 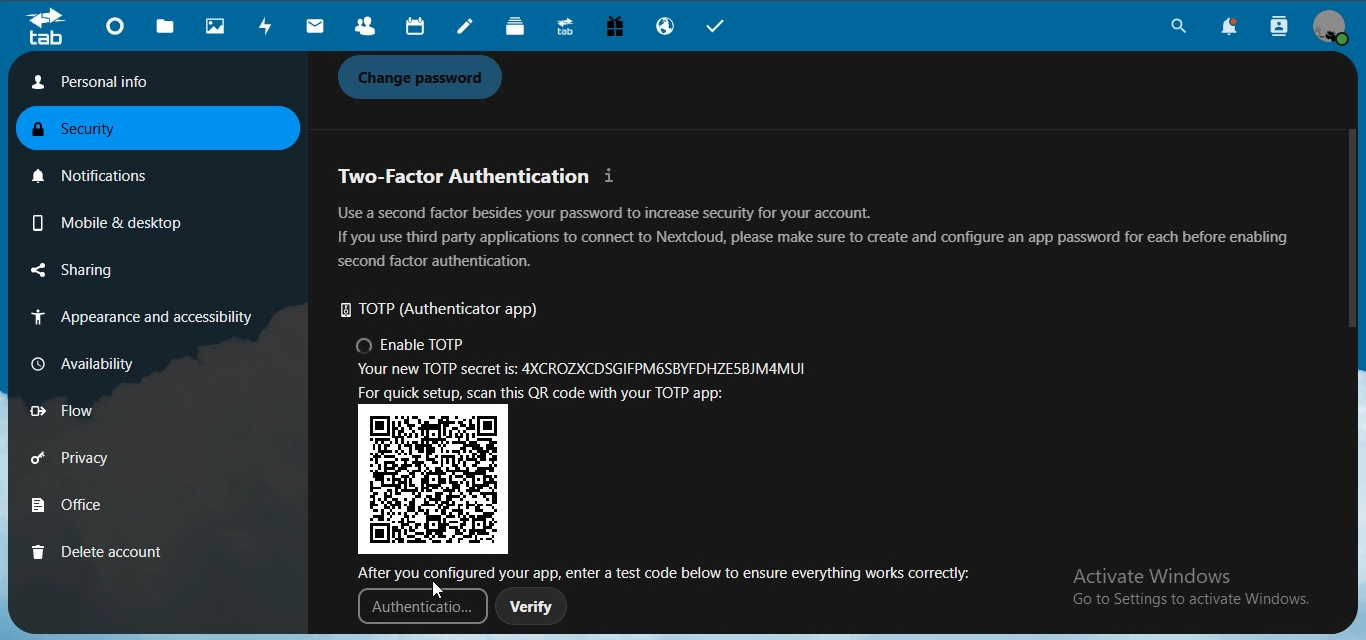 I want to click on scan qr code, so click(x=554, y=394).